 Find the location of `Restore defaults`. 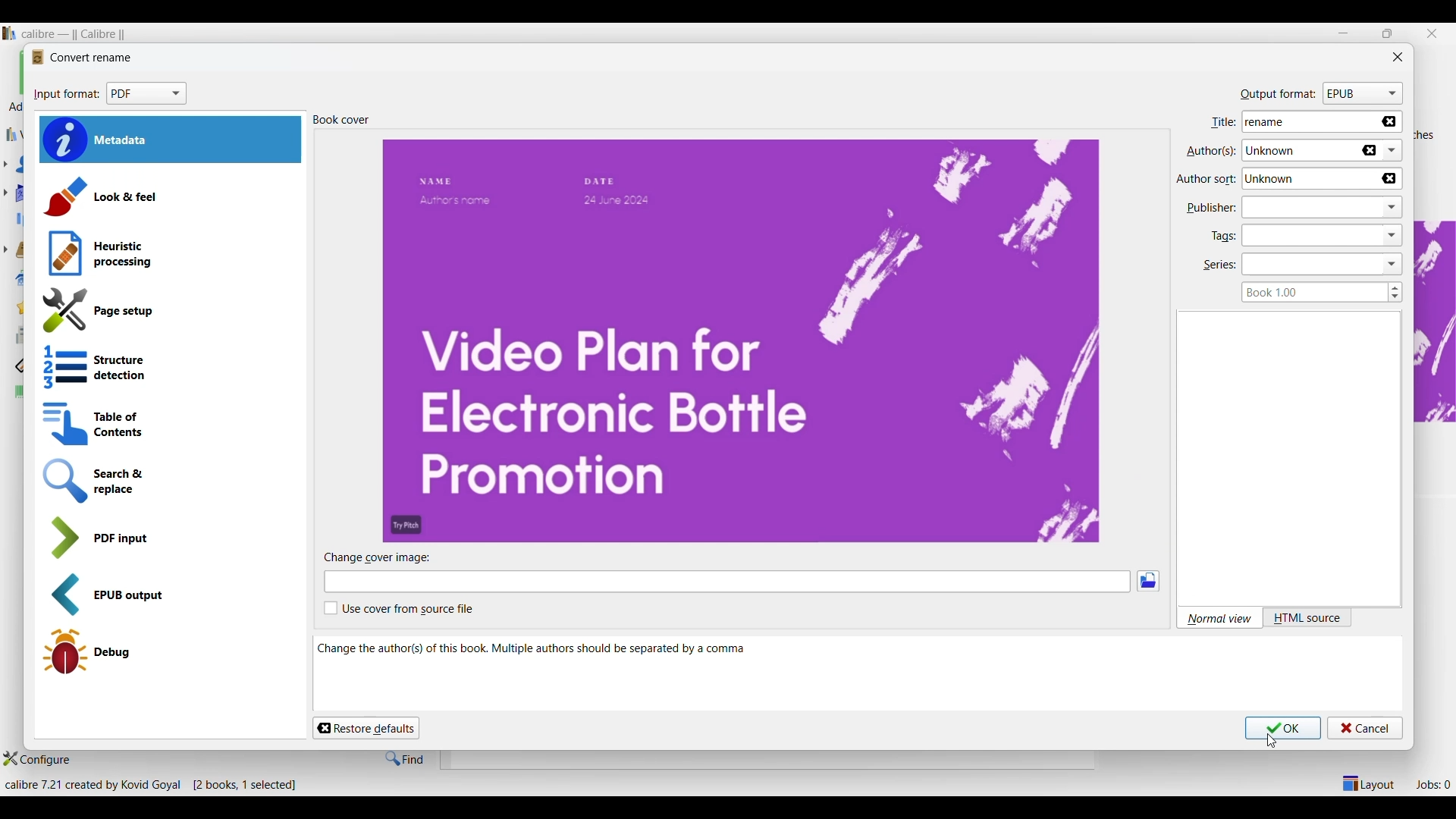

Restore defaults is located at coordinates (365, 729).